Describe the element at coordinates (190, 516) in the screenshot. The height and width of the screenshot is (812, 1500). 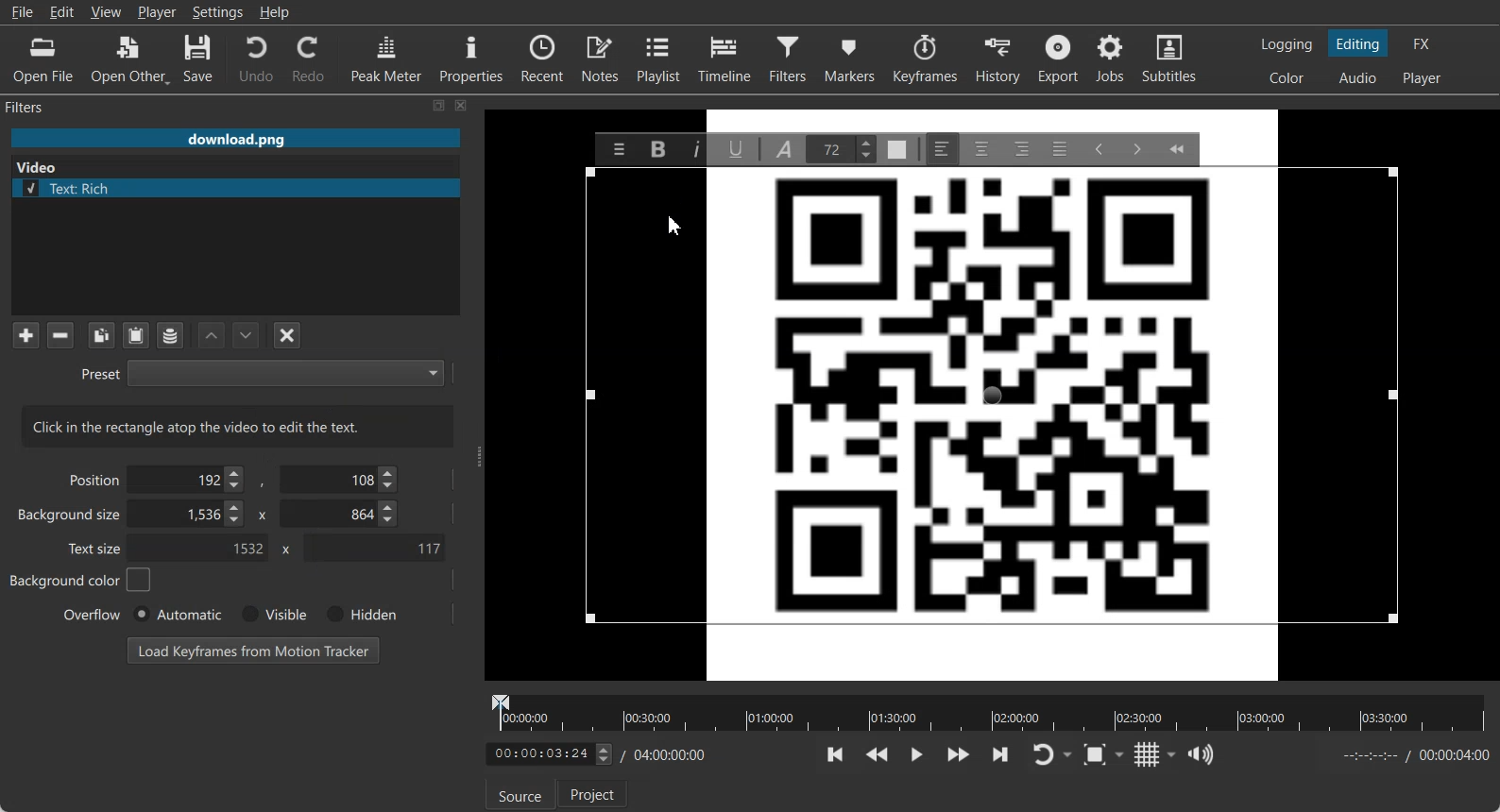
I see `Background size X- Coordinate` at that location.